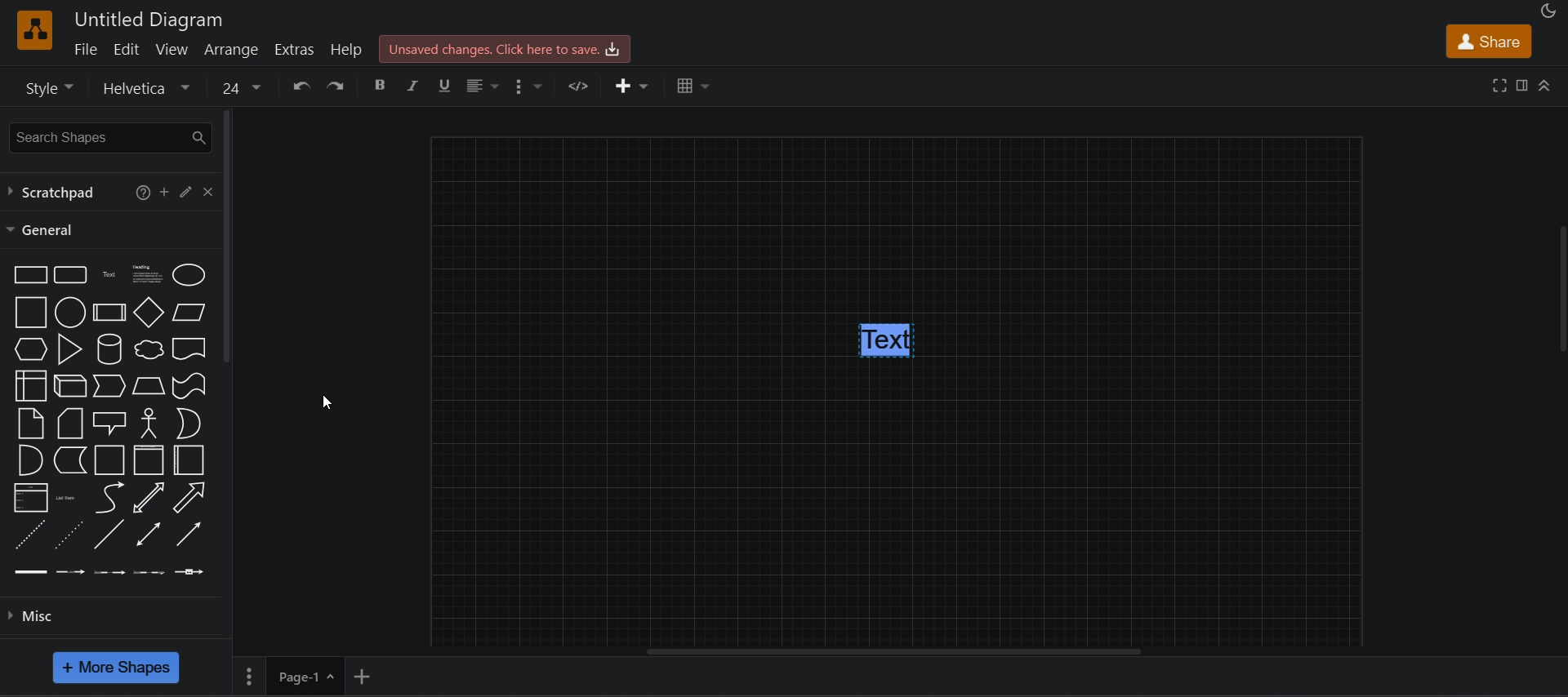 Image resolution: width=1568 pixels, height=697 pixels. What do you see at coordinates (70, 571) in the screenshot?
I see `Connector with labels` at bounding box center [70, 571].